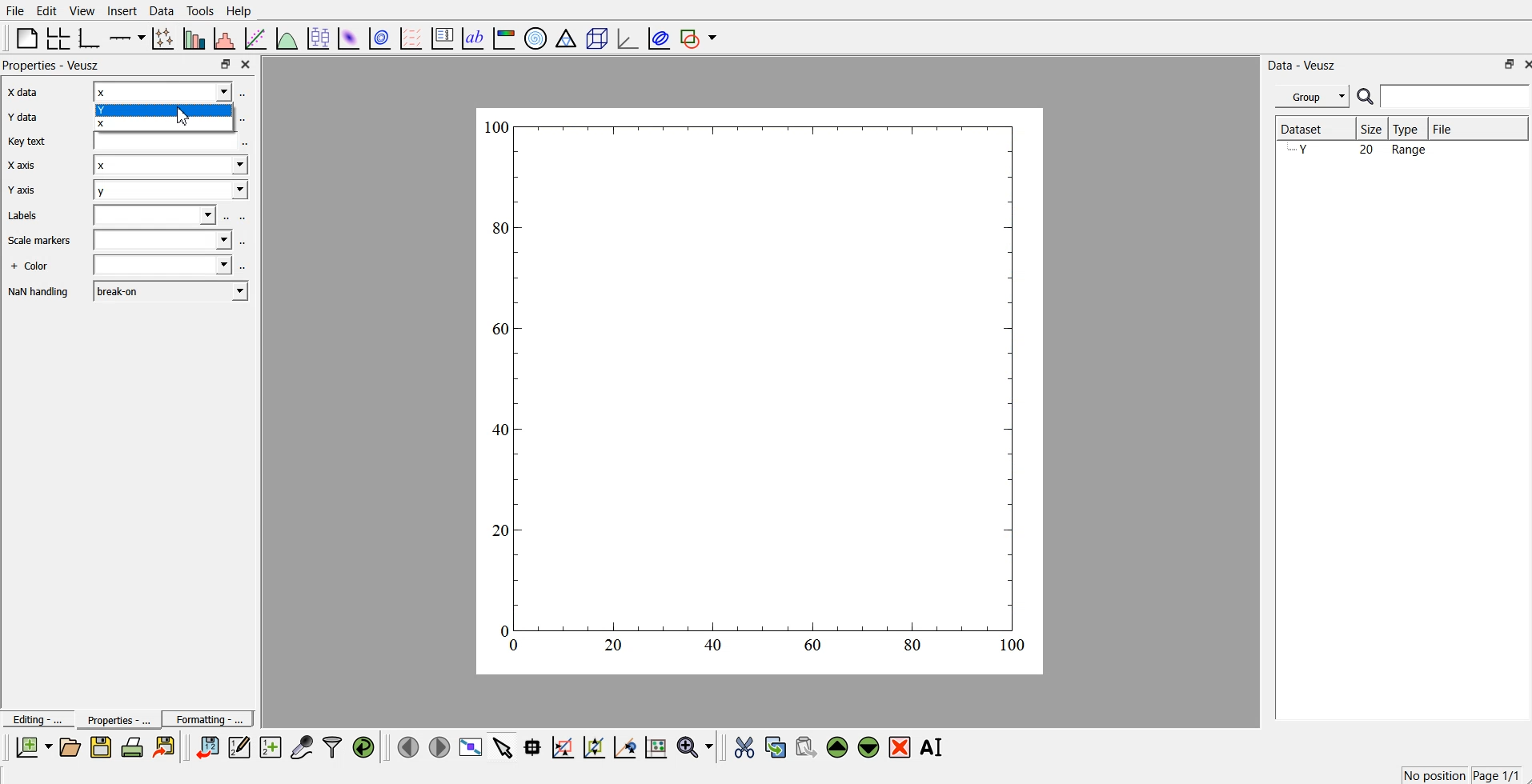  I want to click on field, so click(157, 216).